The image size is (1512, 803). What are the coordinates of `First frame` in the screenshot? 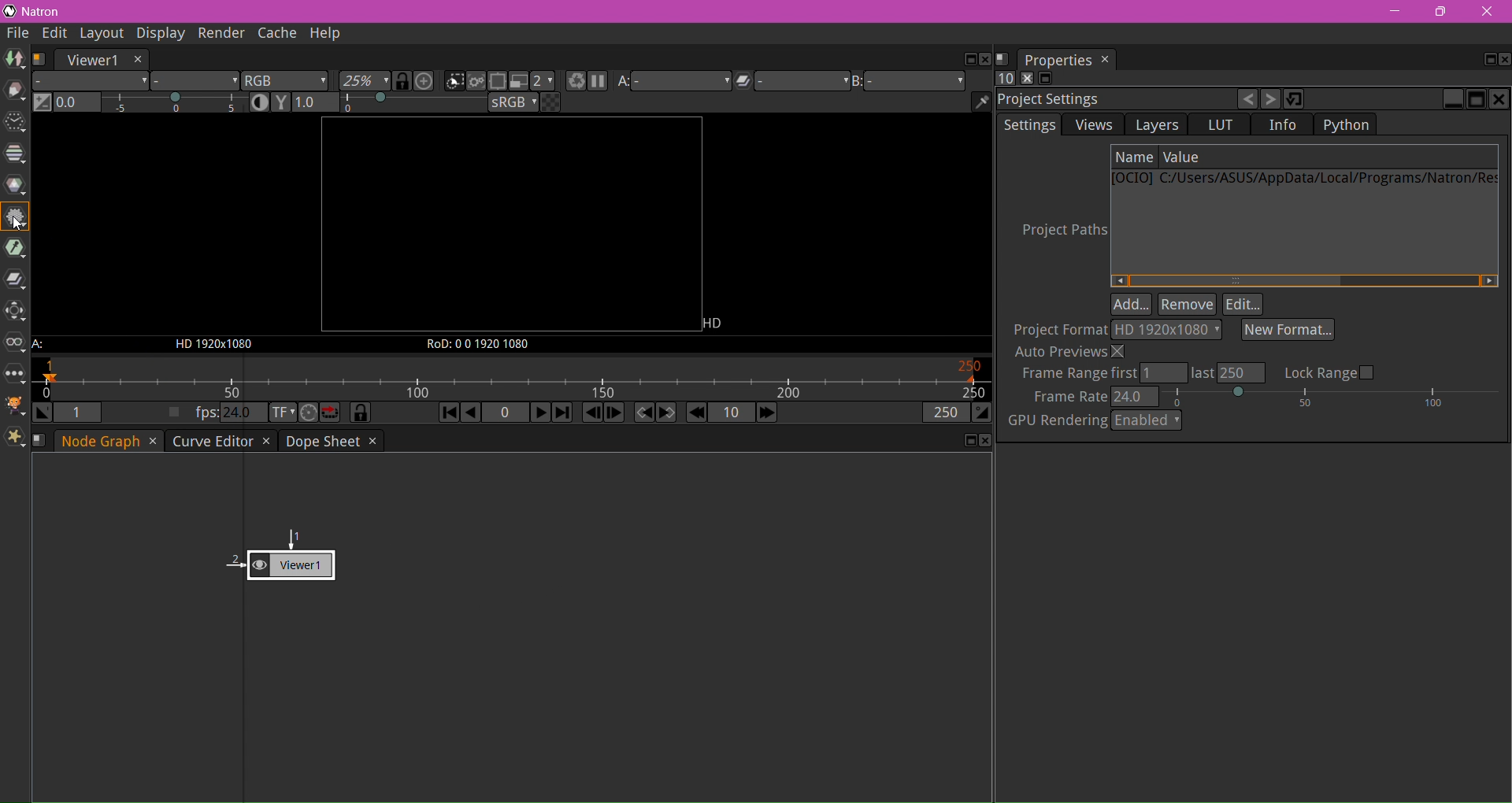 It's located at (447, 414).